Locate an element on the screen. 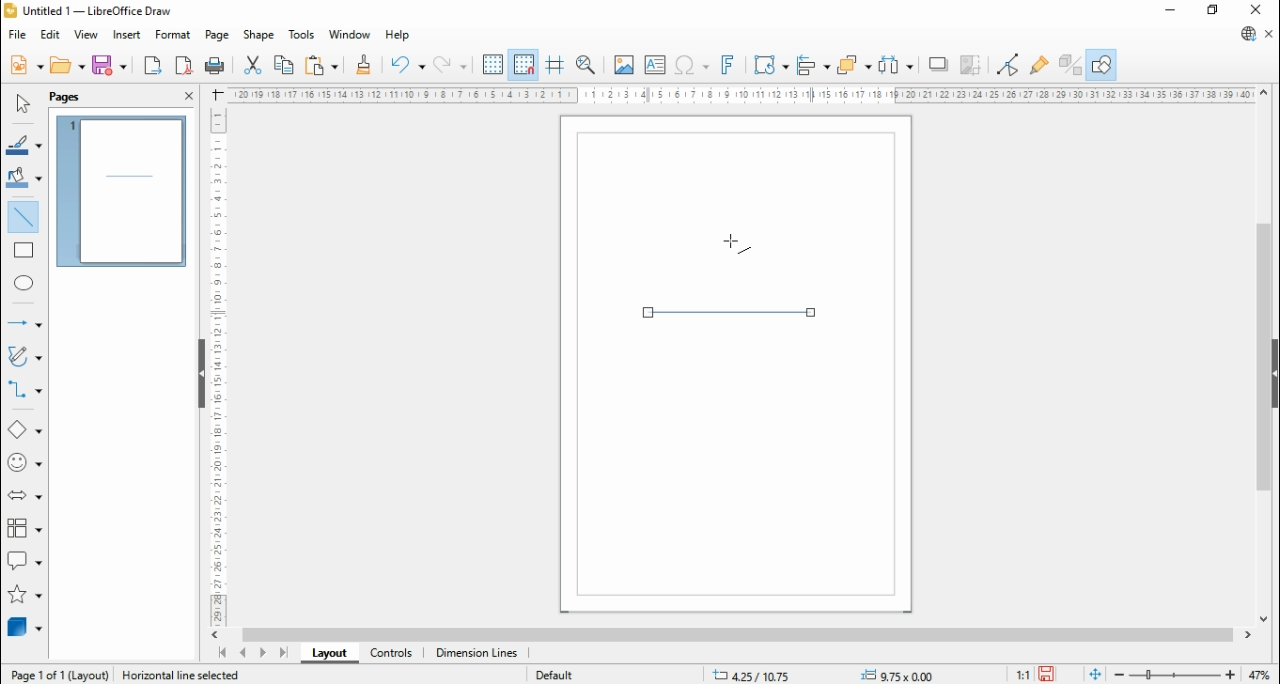  open is located at coordinates (69, 65).